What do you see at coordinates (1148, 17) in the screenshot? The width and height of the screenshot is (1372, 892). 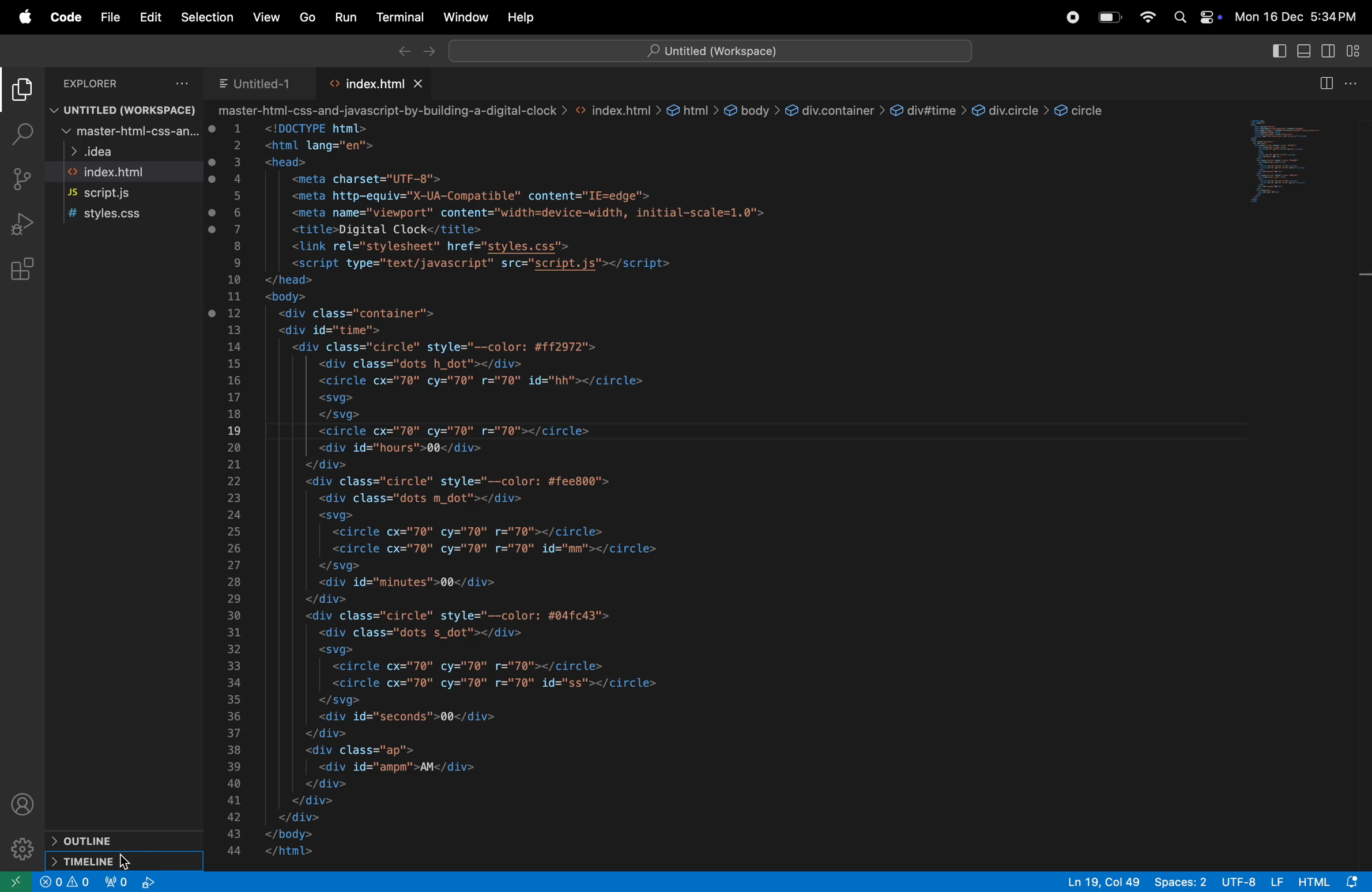 I see `wifi` at bounding box center [1148, 17].